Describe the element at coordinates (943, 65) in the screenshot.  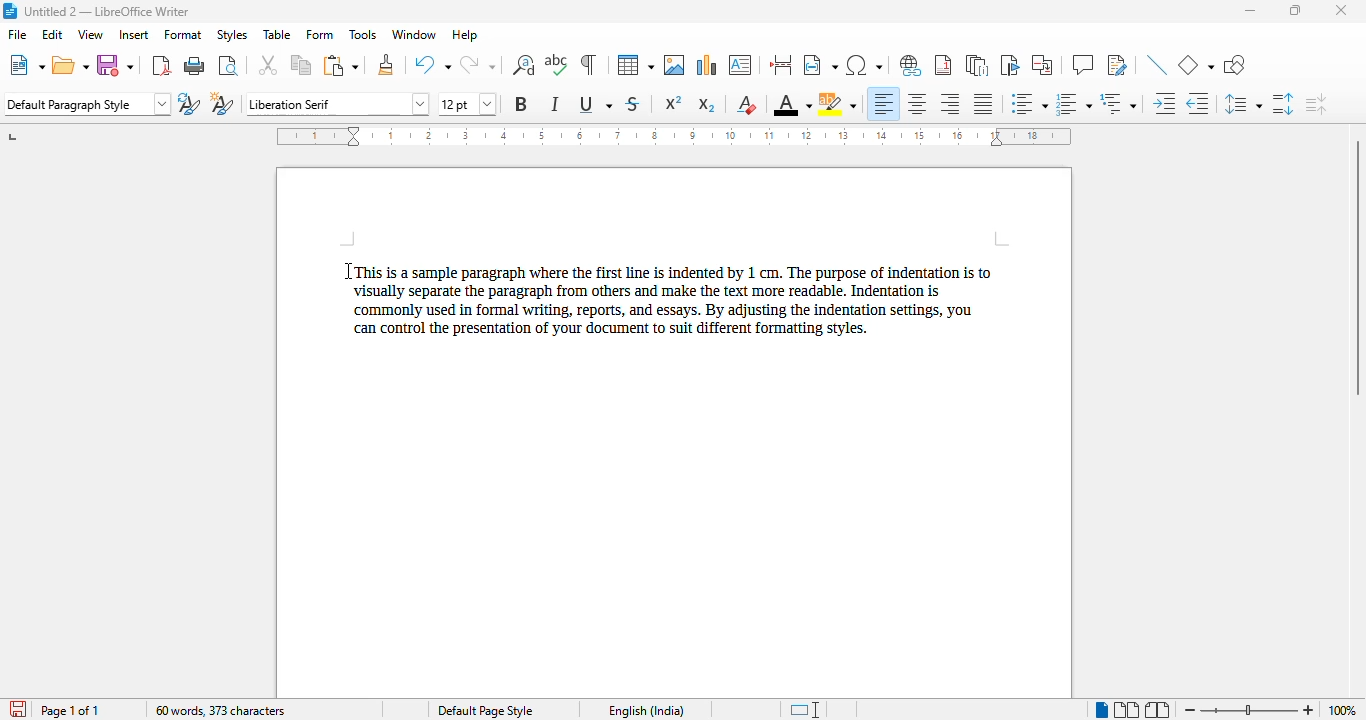
I see `insert footnote` at that location.